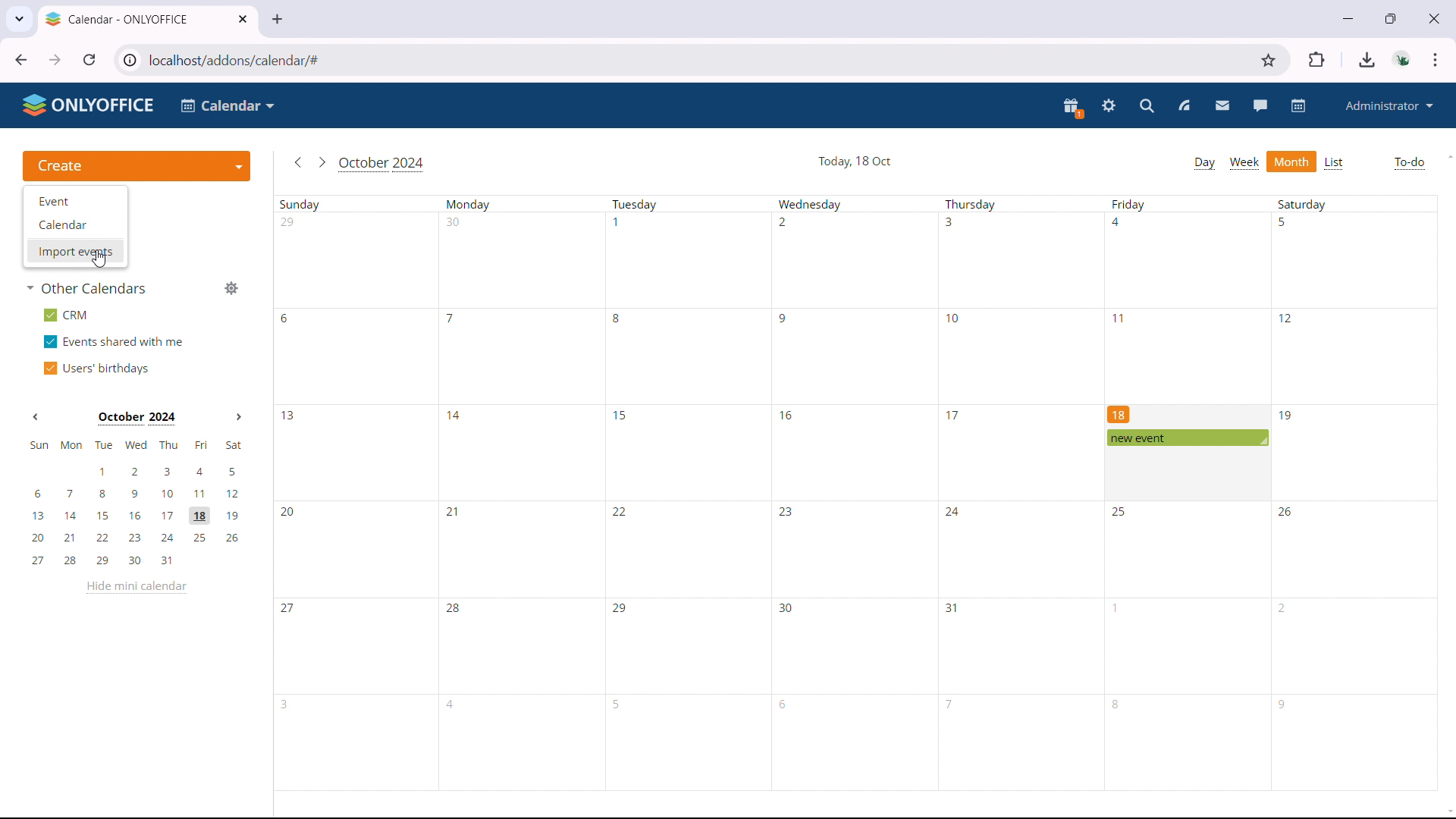 This screenshot has width=1456, height=819. What do you see at coordinates (1391, 17) in the screenshot?
I see `maximize` at bounding box center [1391, 17].